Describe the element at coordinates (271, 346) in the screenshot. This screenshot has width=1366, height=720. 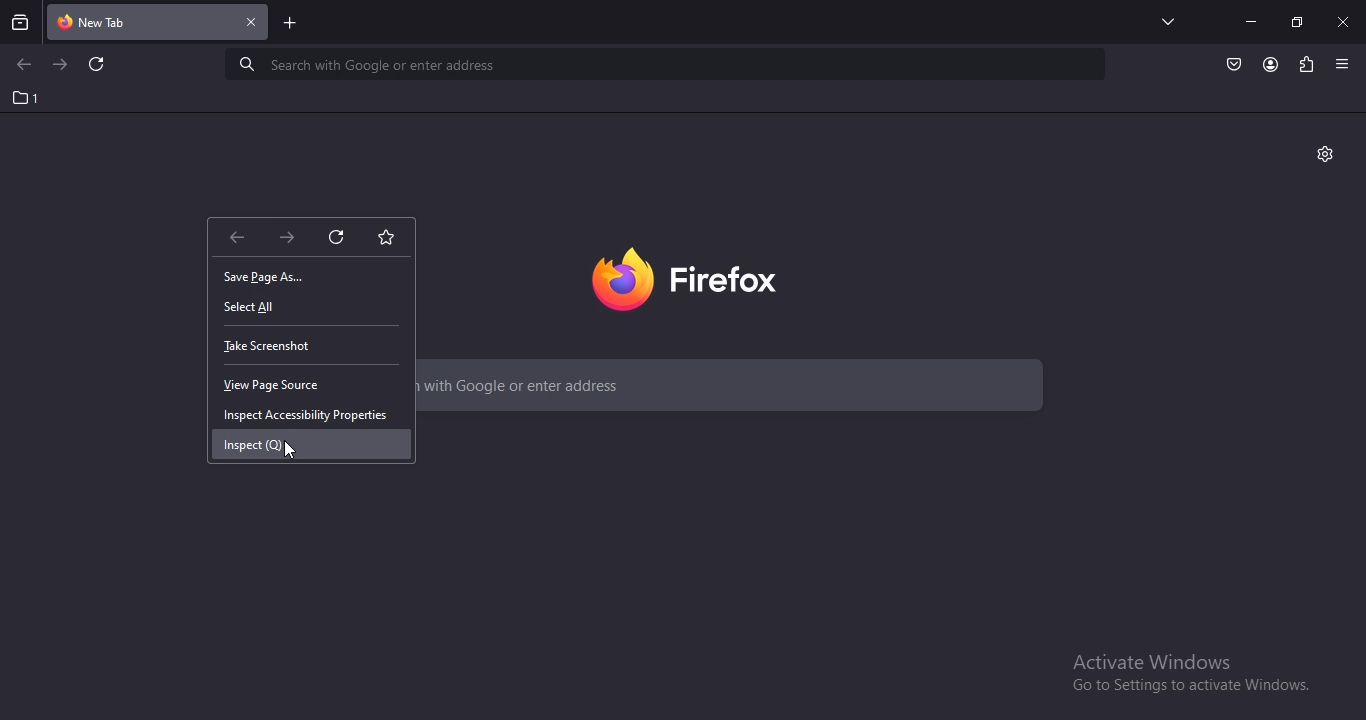
I see `take screenshot` at that location.